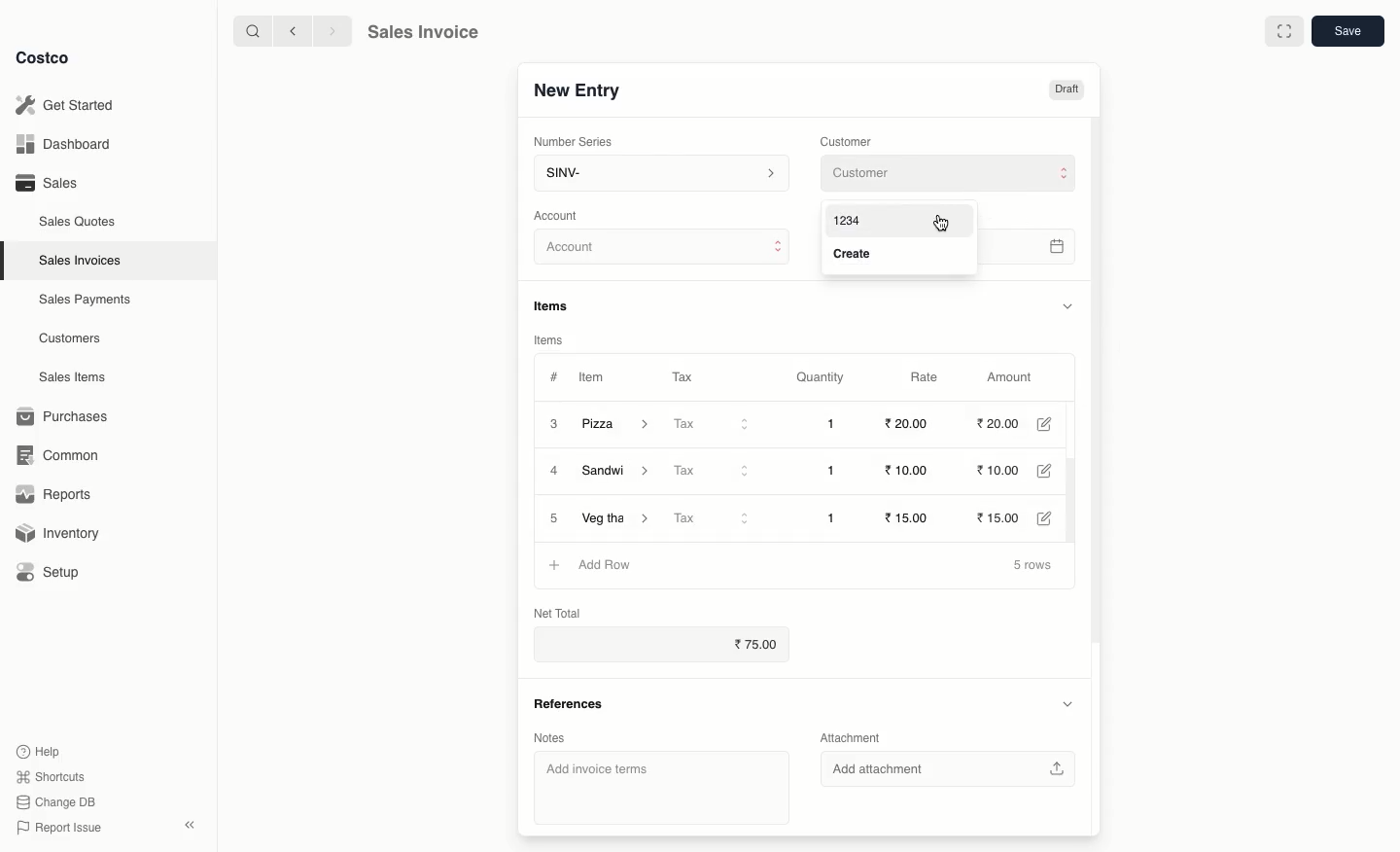 The width and height of the screenshot is (1400, 852). What do you see at coordinates (605, 562) in the screenshot?
I see `Add Row` at bounding box center [605, 562].